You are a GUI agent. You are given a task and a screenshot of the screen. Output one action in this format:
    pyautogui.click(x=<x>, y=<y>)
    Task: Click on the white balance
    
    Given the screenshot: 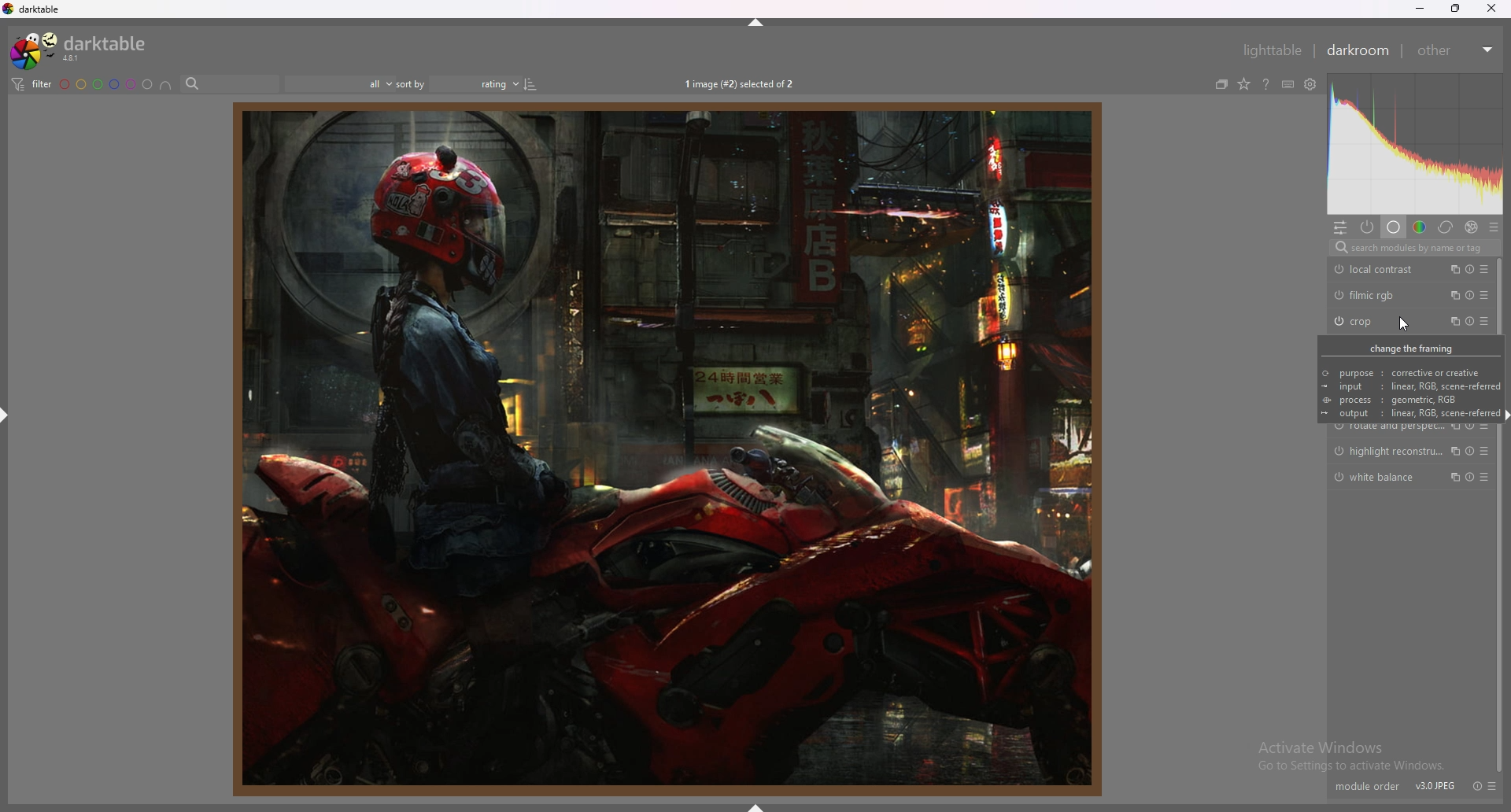 What is the action you would take?
    pyautogui.click(x=1380, y=478)
    